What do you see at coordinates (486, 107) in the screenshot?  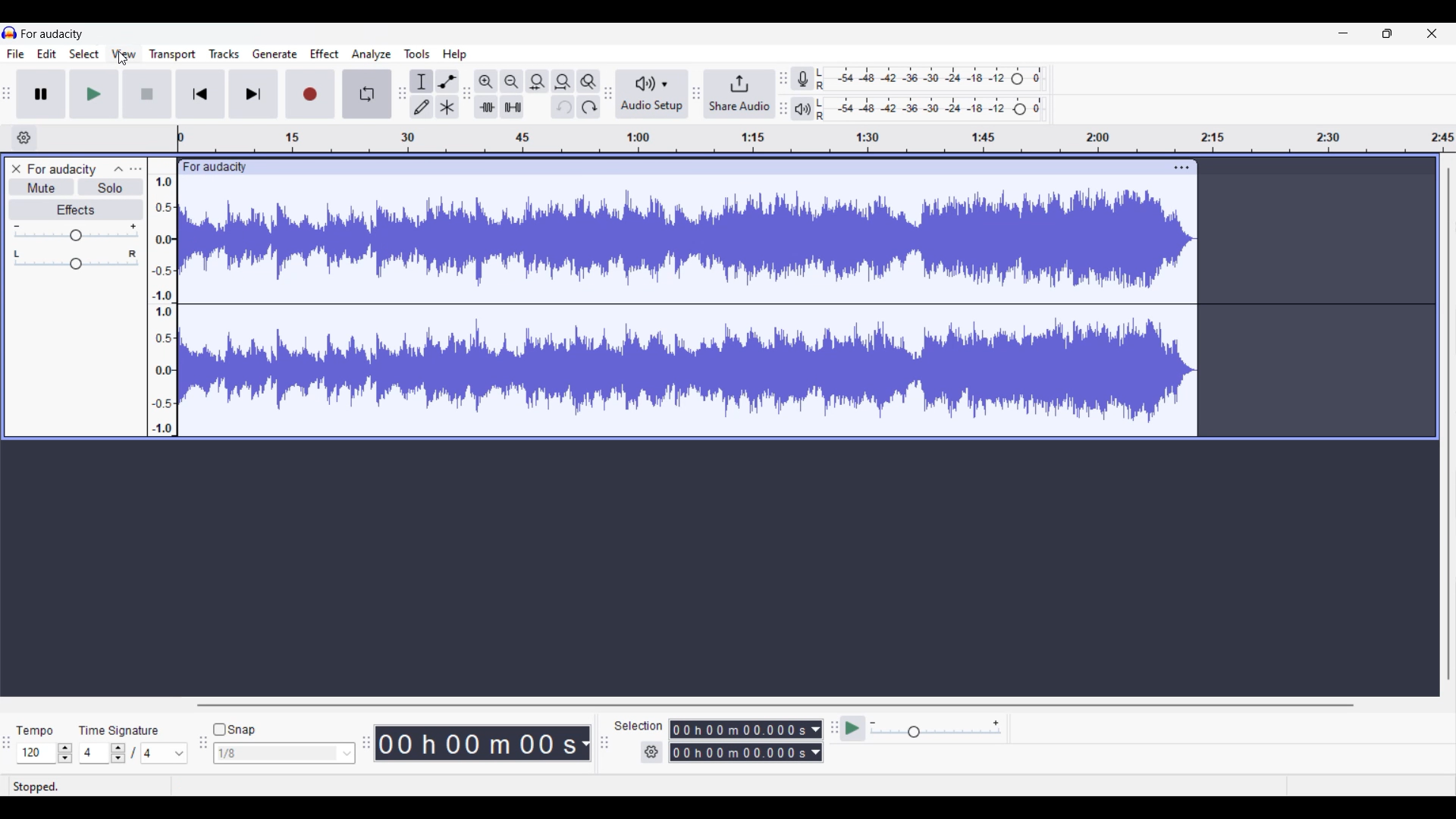 I see `Trim audio outside selection` at bounding box center [486, 107].